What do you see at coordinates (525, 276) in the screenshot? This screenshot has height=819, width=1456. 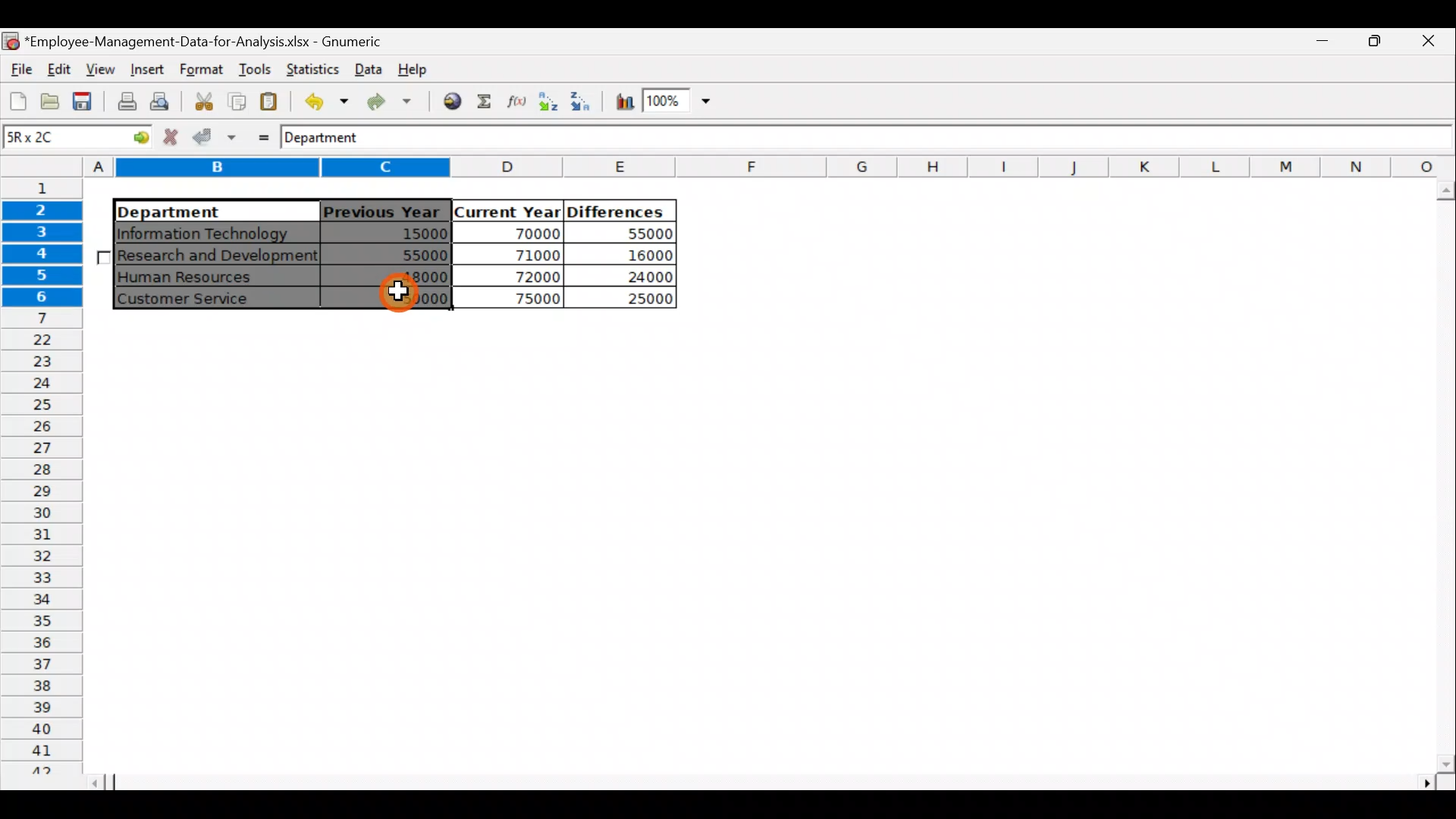 I see `72000` at bounding box center [525, 276].